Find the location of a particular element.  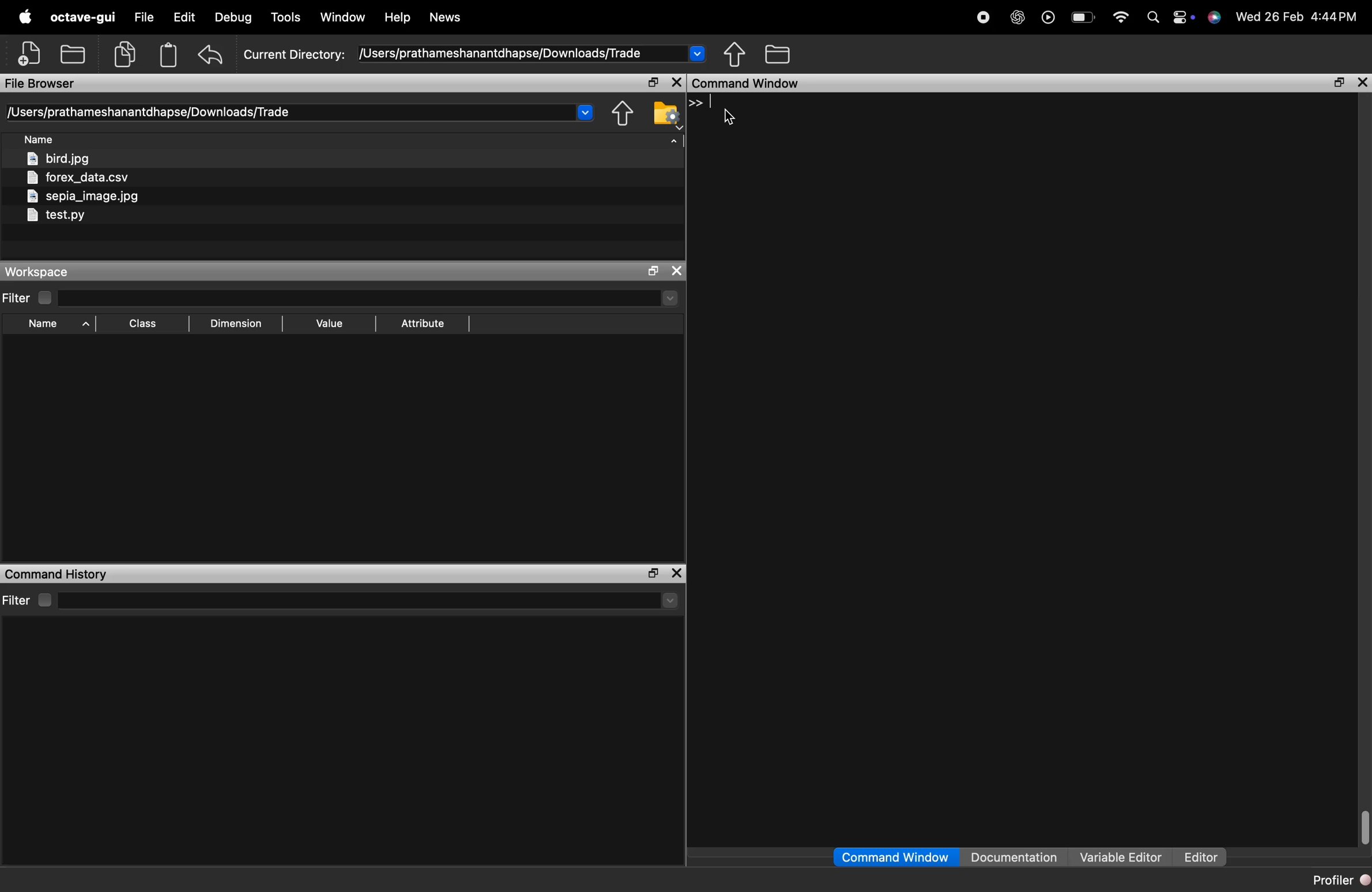

test.py is located at coordinates (55, 216).